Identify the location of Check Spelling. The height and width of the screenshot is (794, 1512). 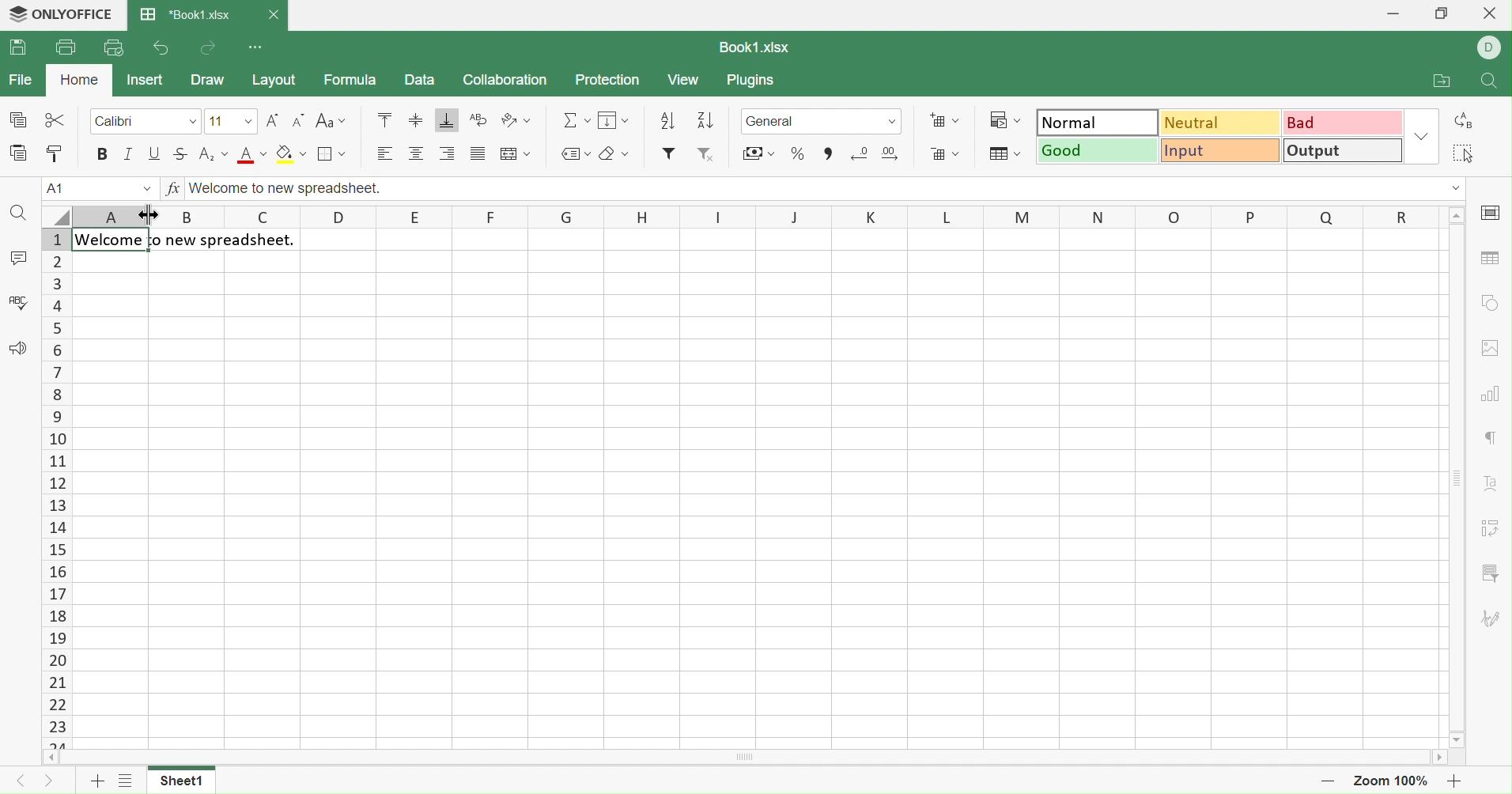
(19, 301).